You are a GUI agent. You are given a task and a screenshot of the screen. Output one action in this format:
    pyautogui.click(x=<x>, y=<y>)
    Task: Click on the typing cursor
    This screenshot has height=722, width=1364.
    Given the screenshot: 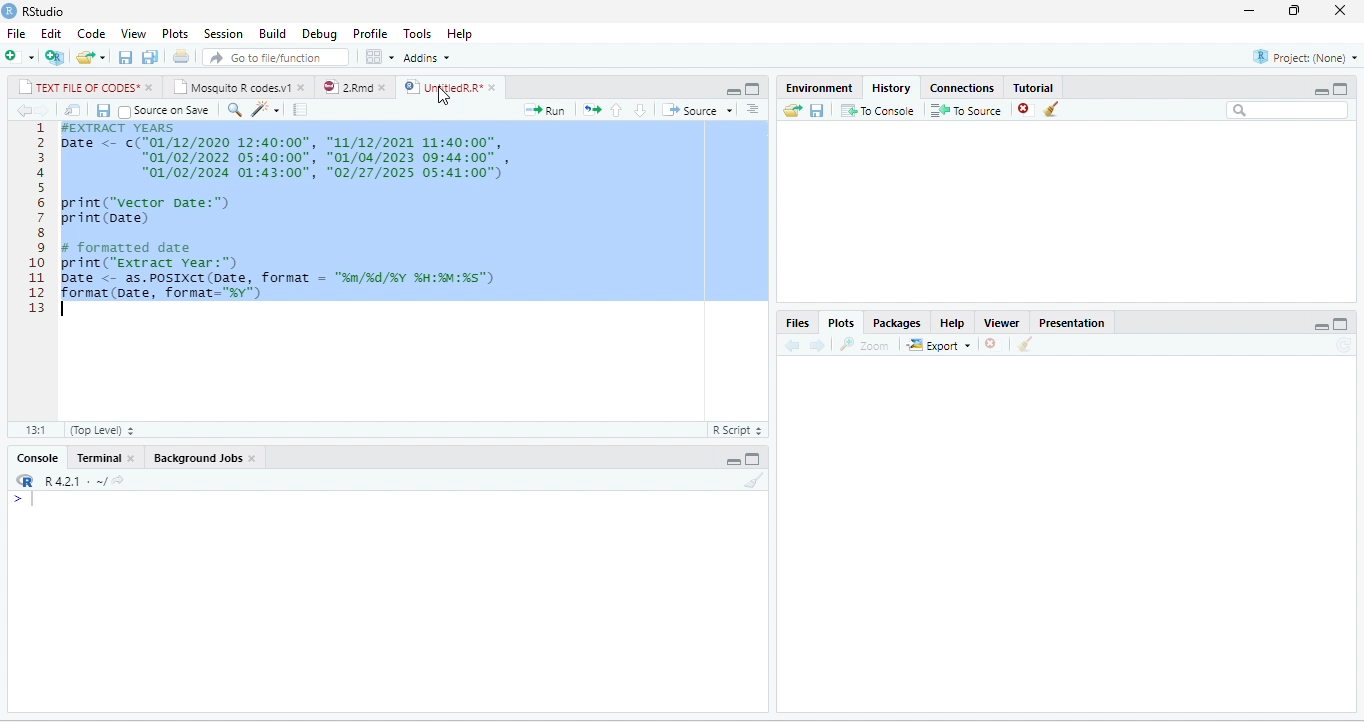 What is the action you would take?
    pyautogui.click(x=66, y=310)
    